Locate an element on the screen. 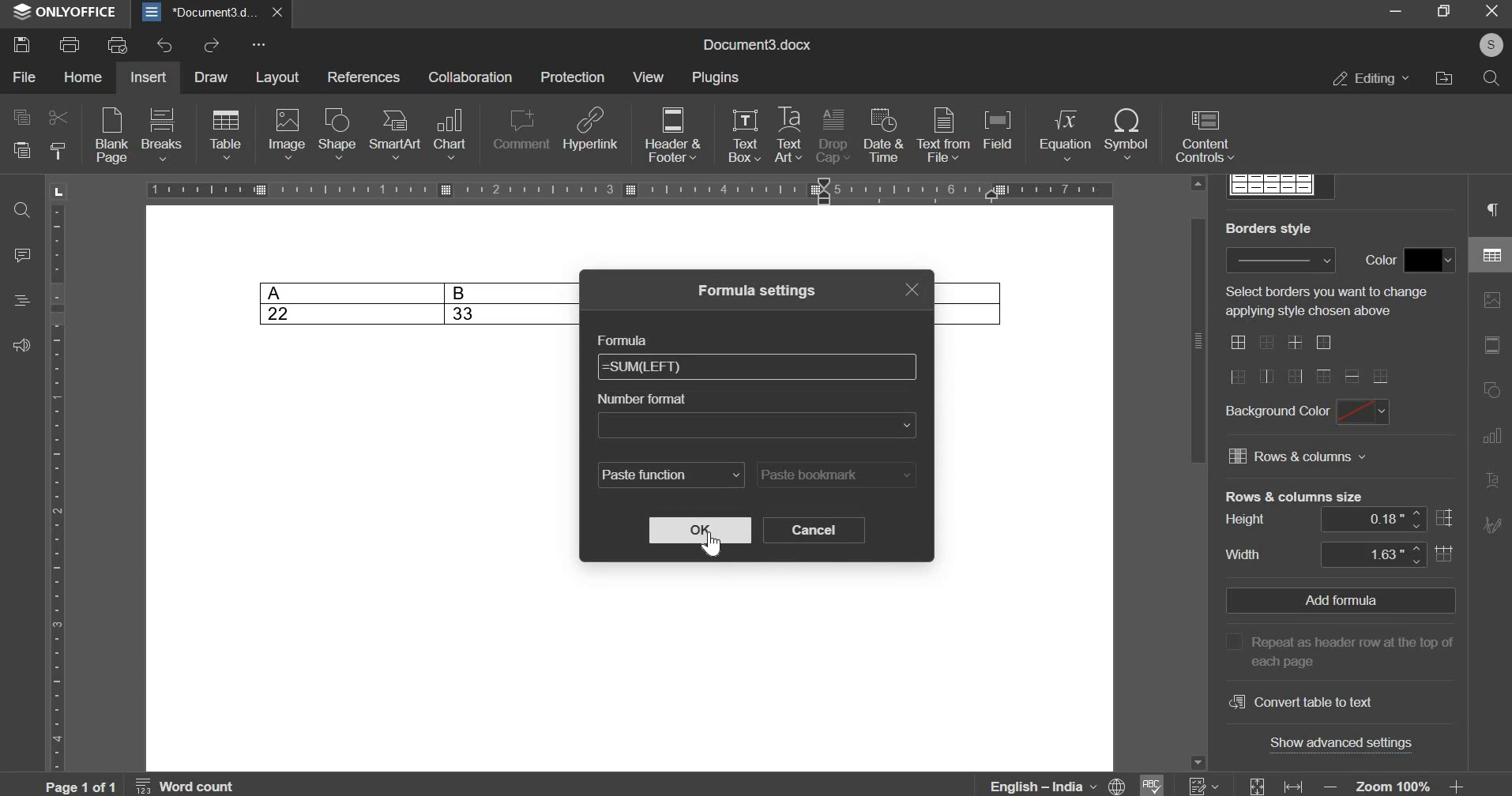 This screenshot has width=1512, height=796. comment is located at coordinates (25, 257).